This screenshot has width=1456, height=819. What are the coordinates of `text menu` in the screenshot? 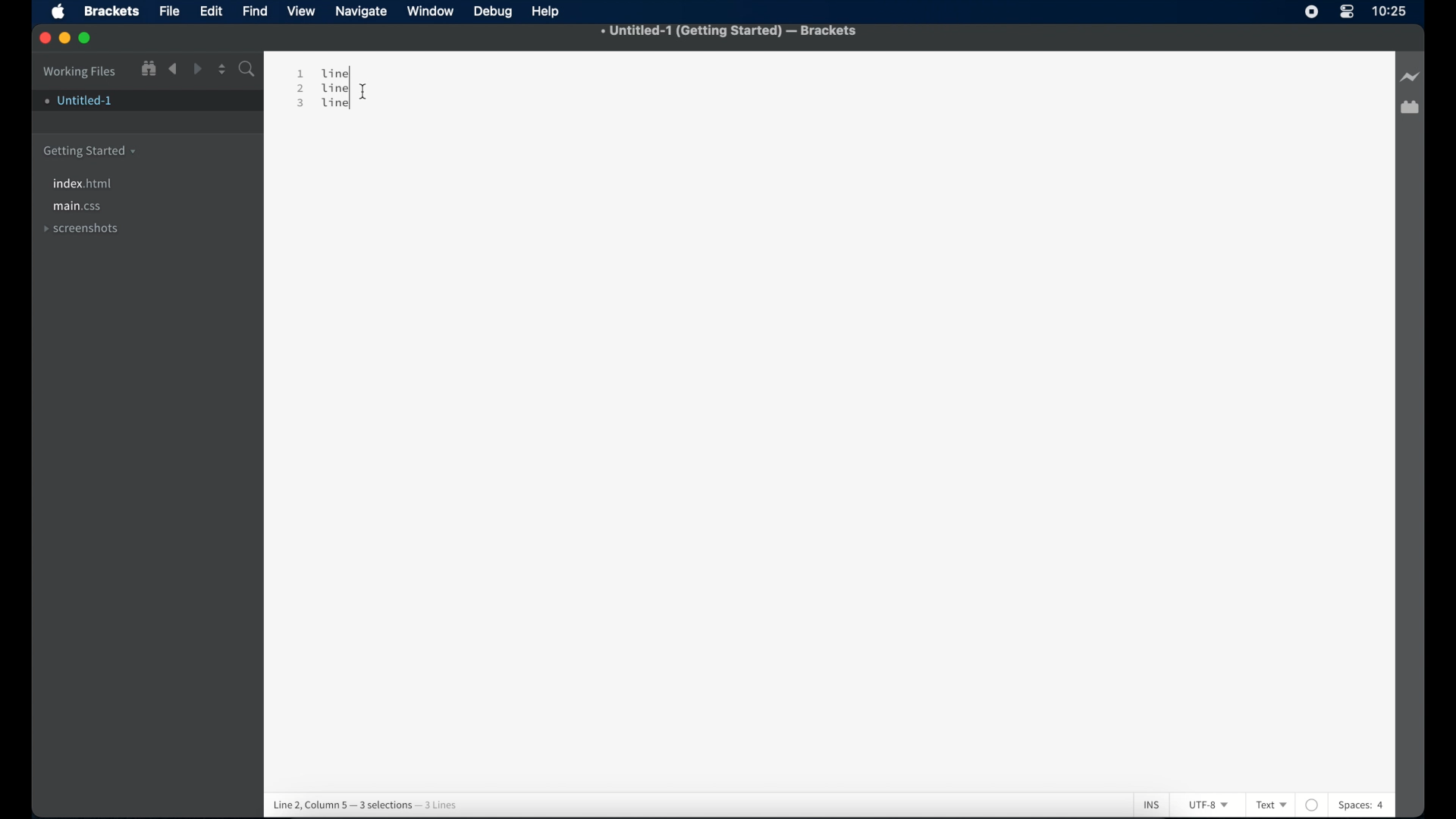 It's located at (1271, 804).